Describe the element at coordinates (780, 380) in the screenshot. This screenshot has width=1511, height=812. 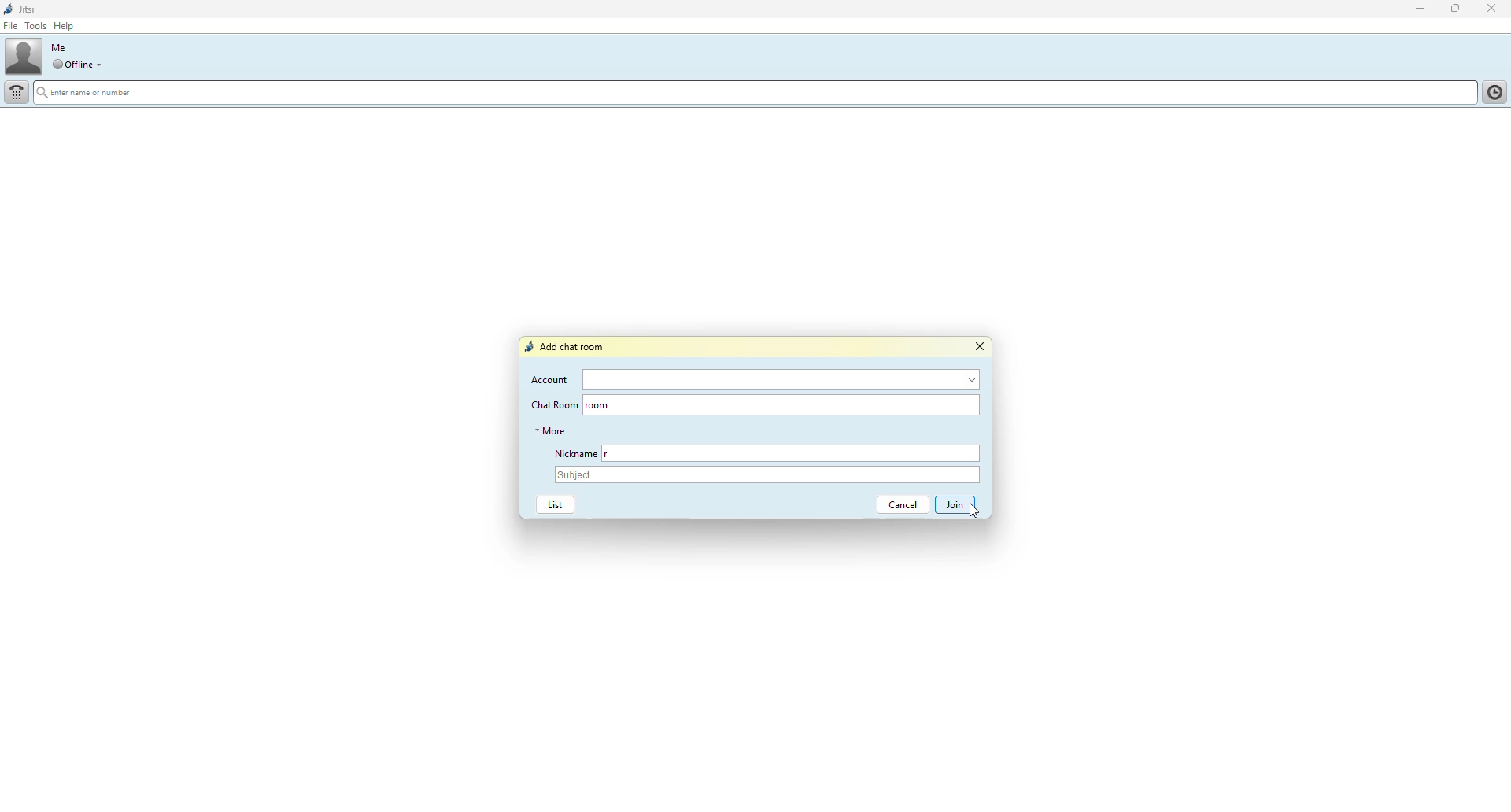
I see `account` at that location.